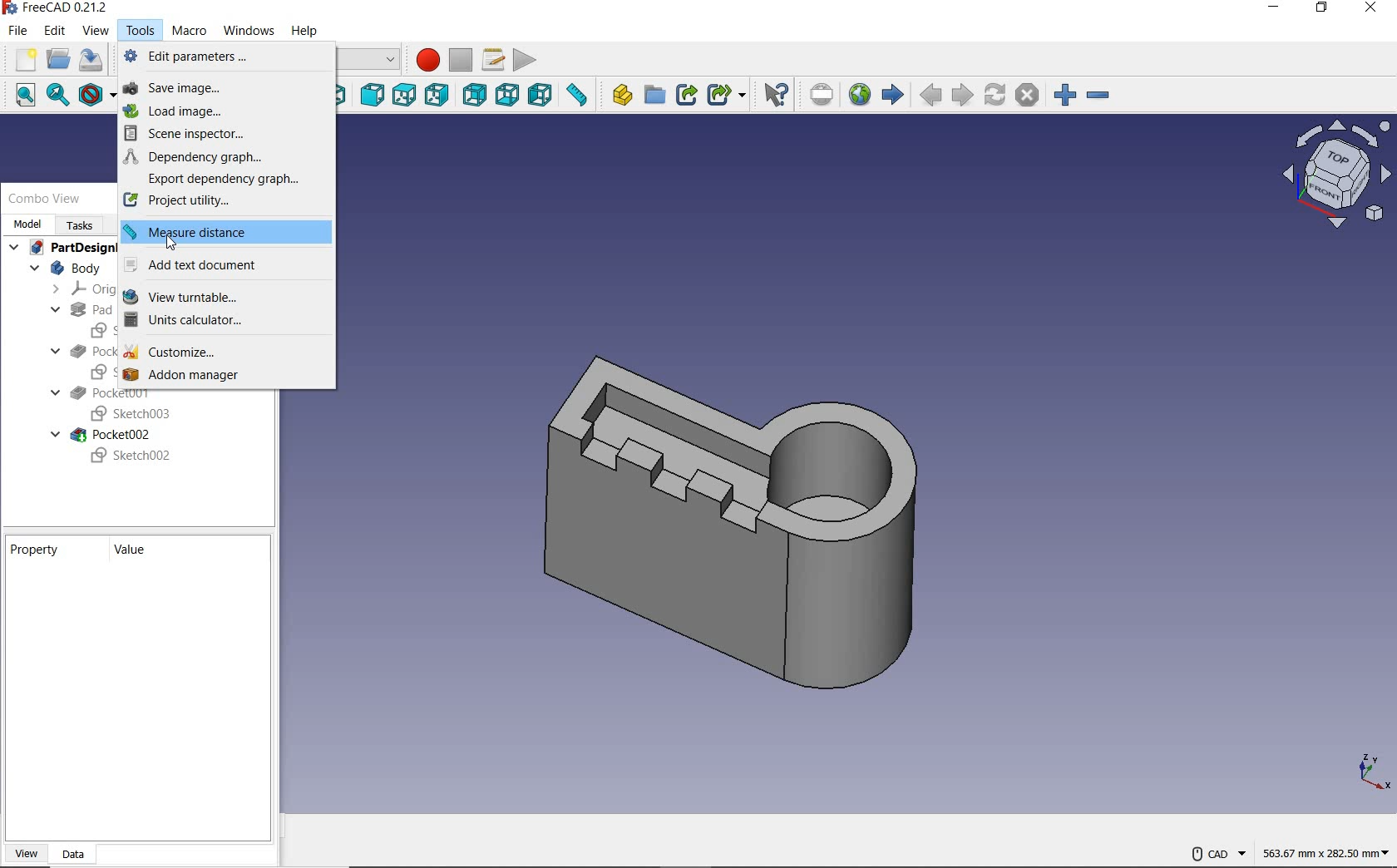 This screenshot has width=1397, height=868. I want to click on 563.67 mm x 282.50 mm (Dimensions), so click(1322, 847).